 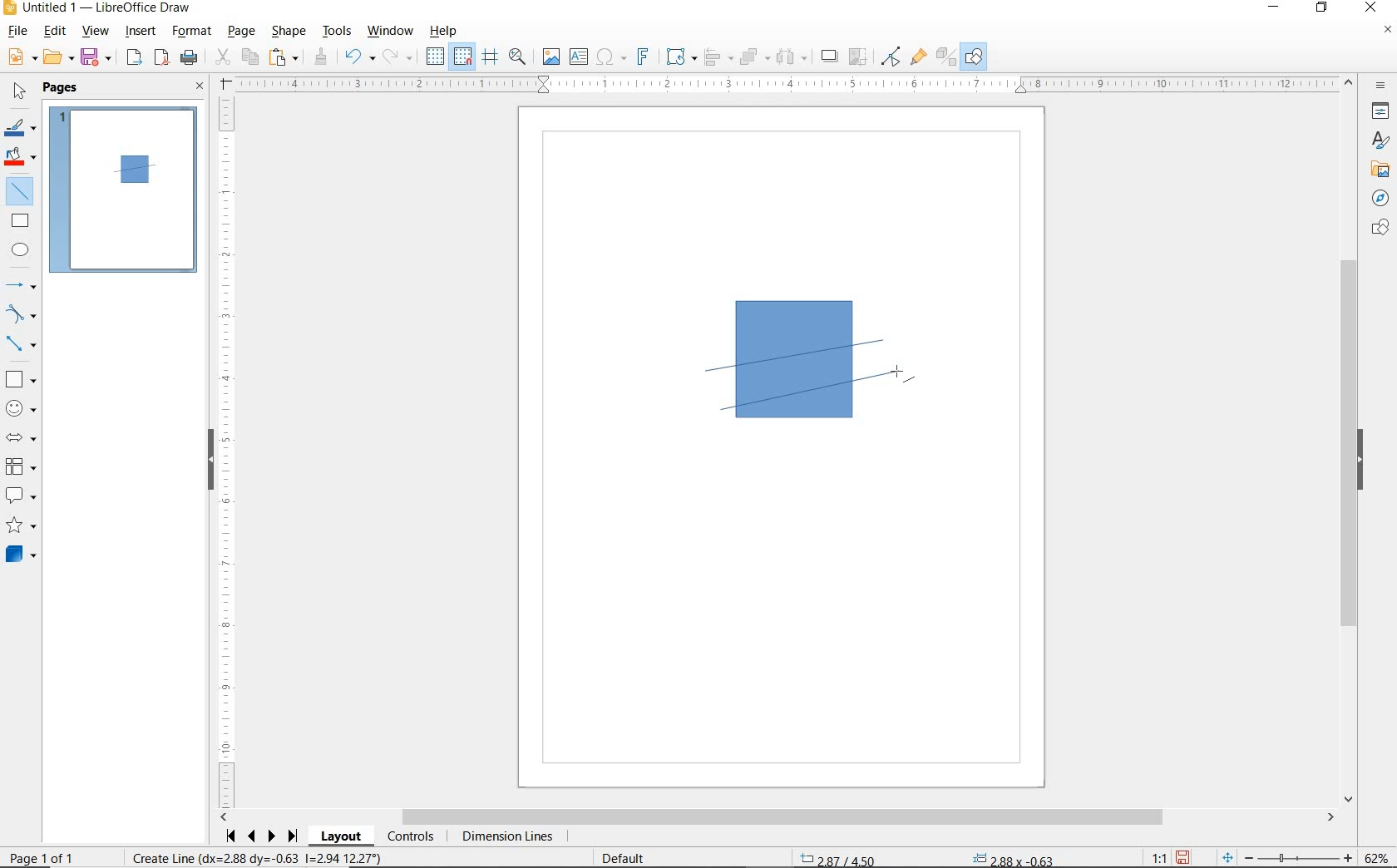 What do you see at coordinates (22, 313) in the screenshot?
I see `CURVES AND POLYGONS` at bounding box center [22, 313].